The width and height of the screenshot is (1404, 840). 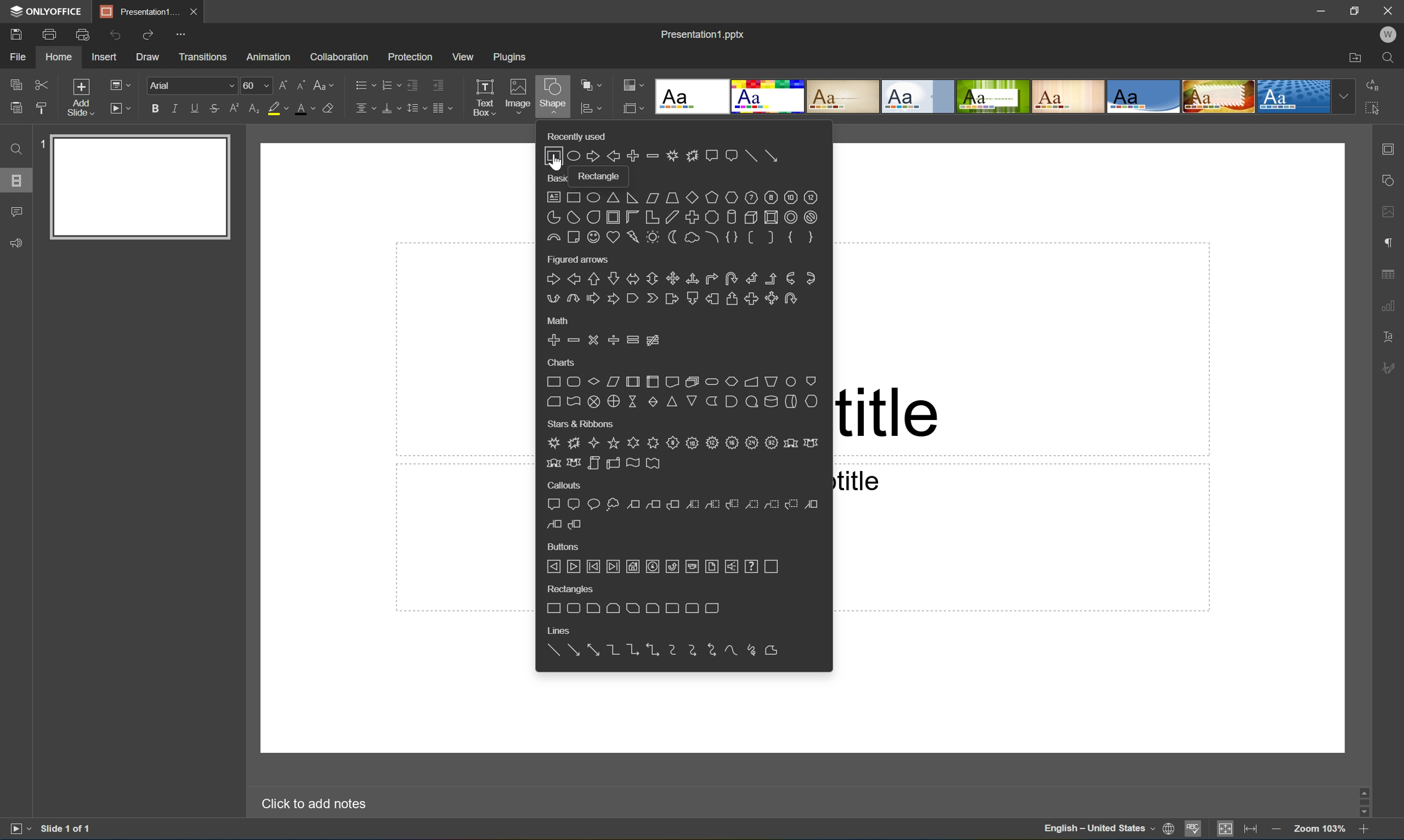 What do you see at coordinates (1191, 832) in the screenshot?
I see `Spell checking` at bounding box center [1191, 832].